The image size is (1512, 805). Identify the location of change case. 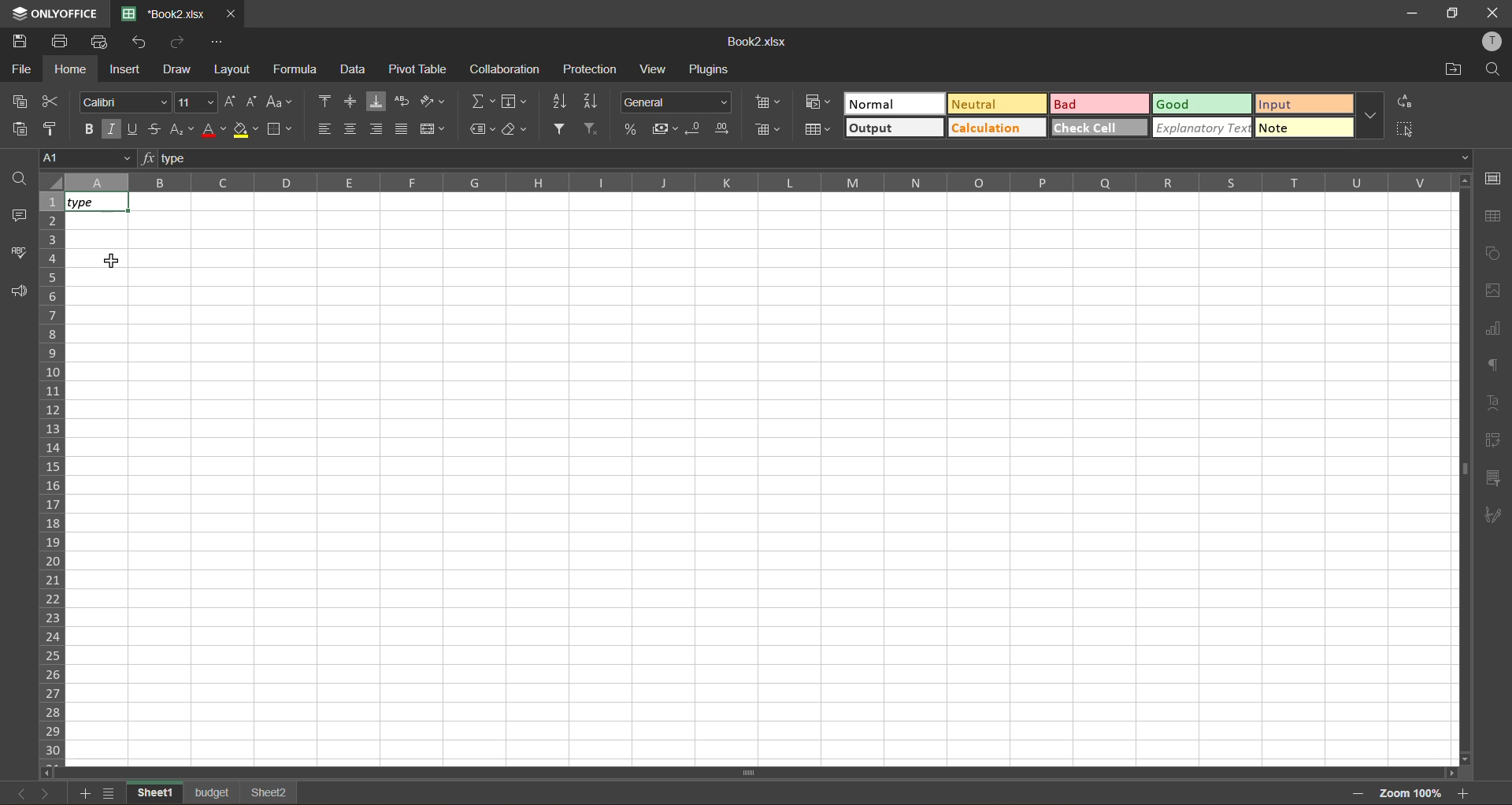
(280, 101).